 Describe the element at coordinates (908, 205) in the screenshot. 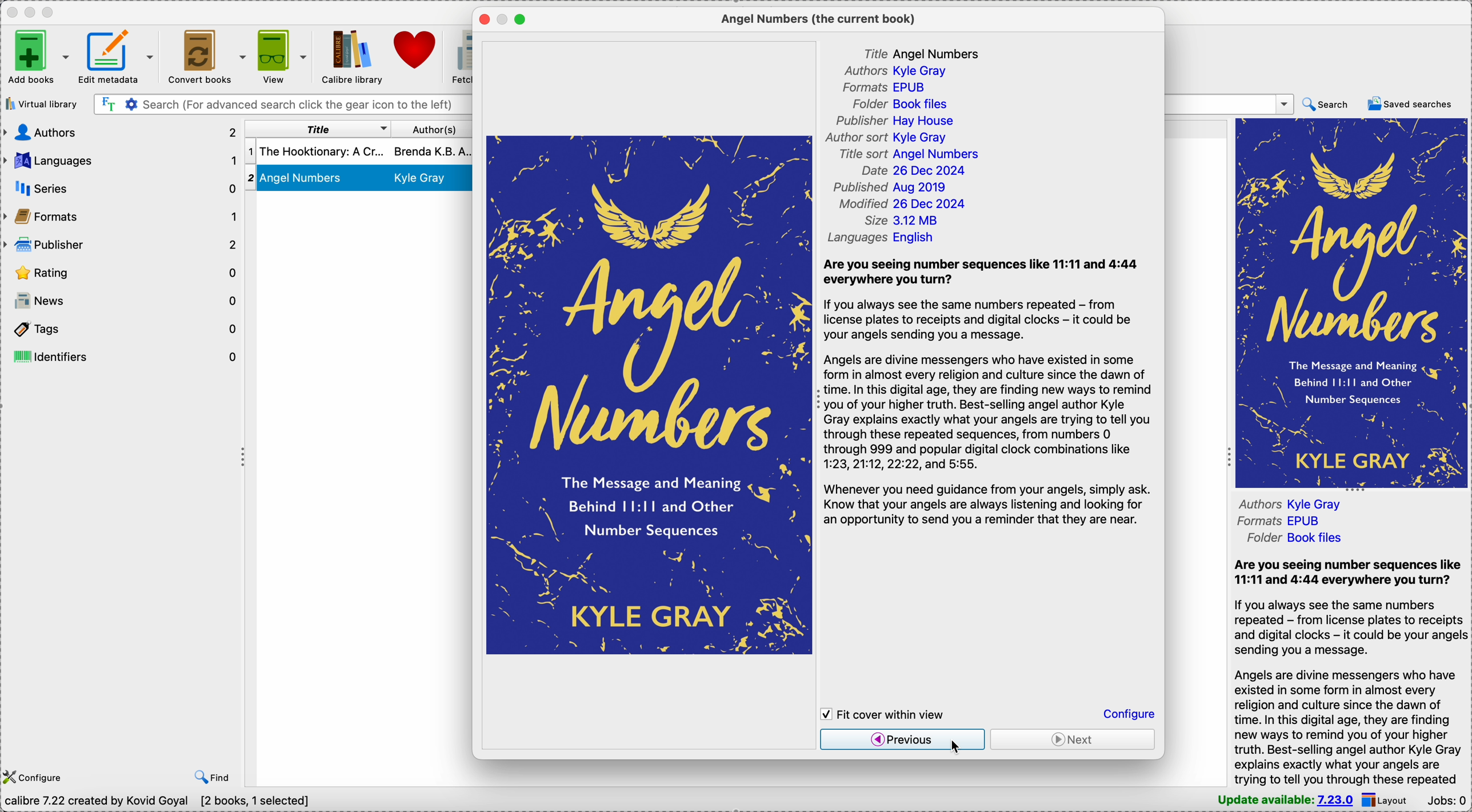

I see `modified` at that location.